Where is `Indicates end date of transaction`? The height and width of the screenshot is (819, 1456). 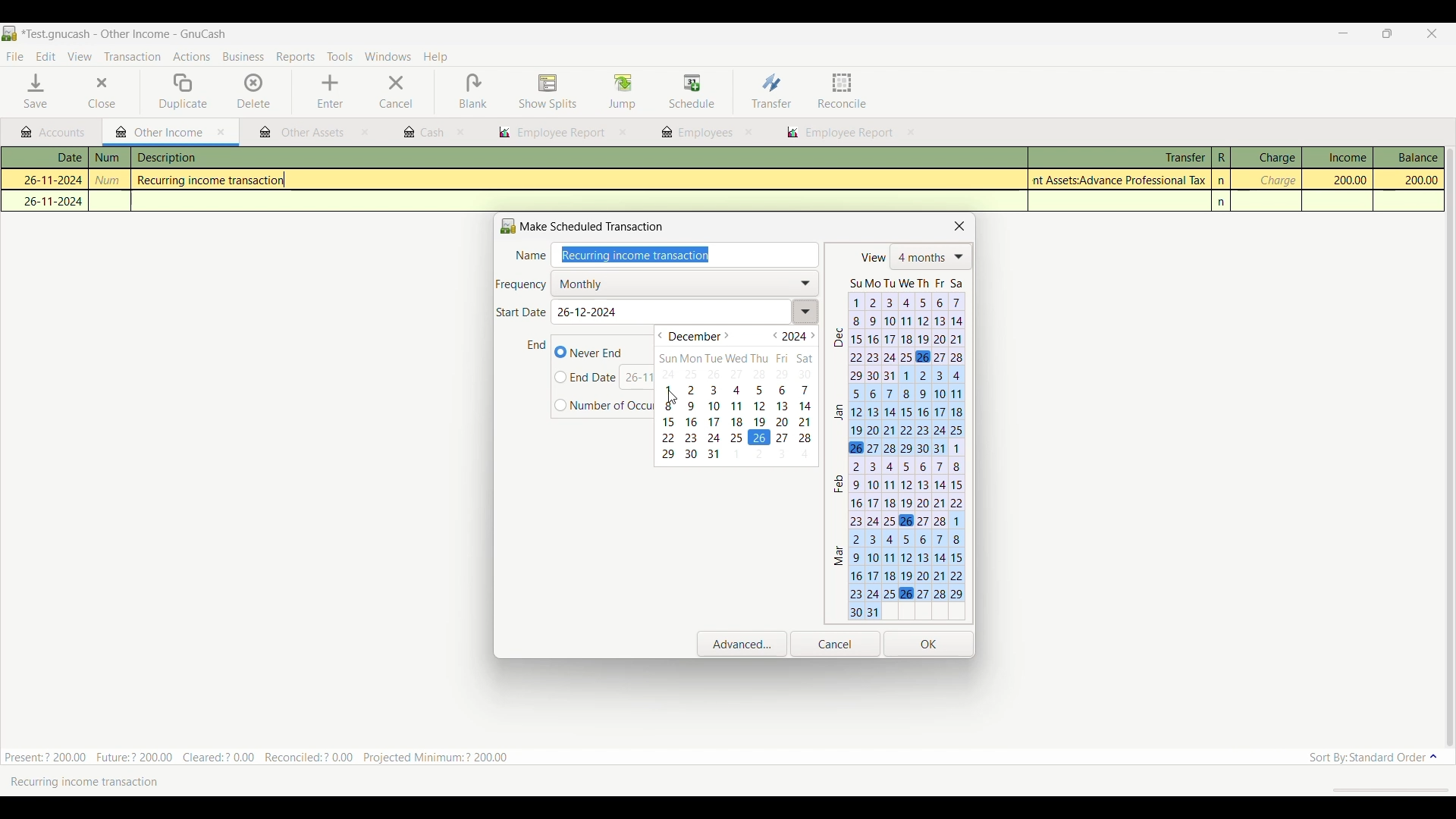
Indicates end date of transaction is located at coordinates (537, 345).